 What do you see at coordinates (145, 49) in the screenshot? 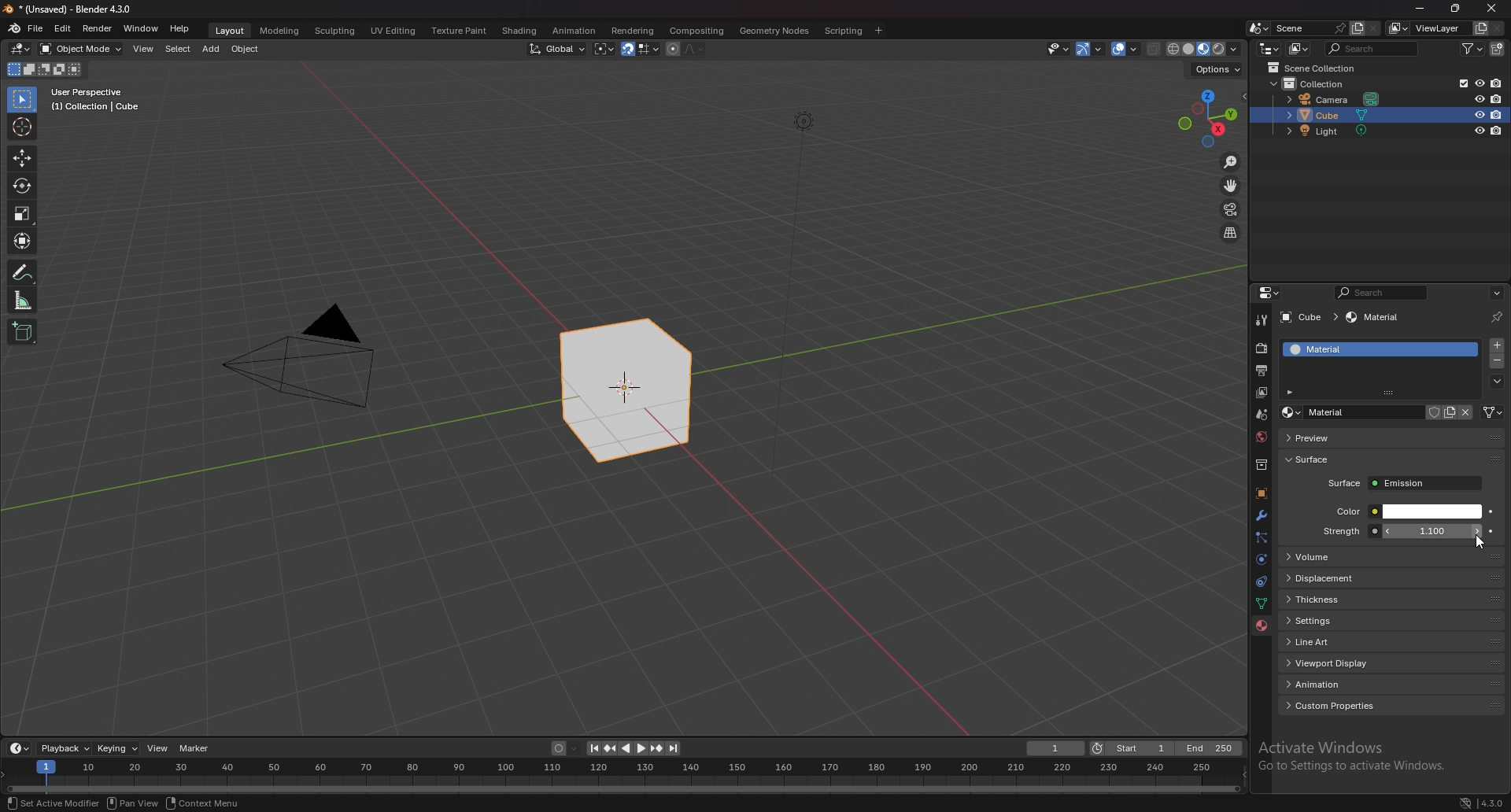
I see `view` at bounding box center [145, 49].